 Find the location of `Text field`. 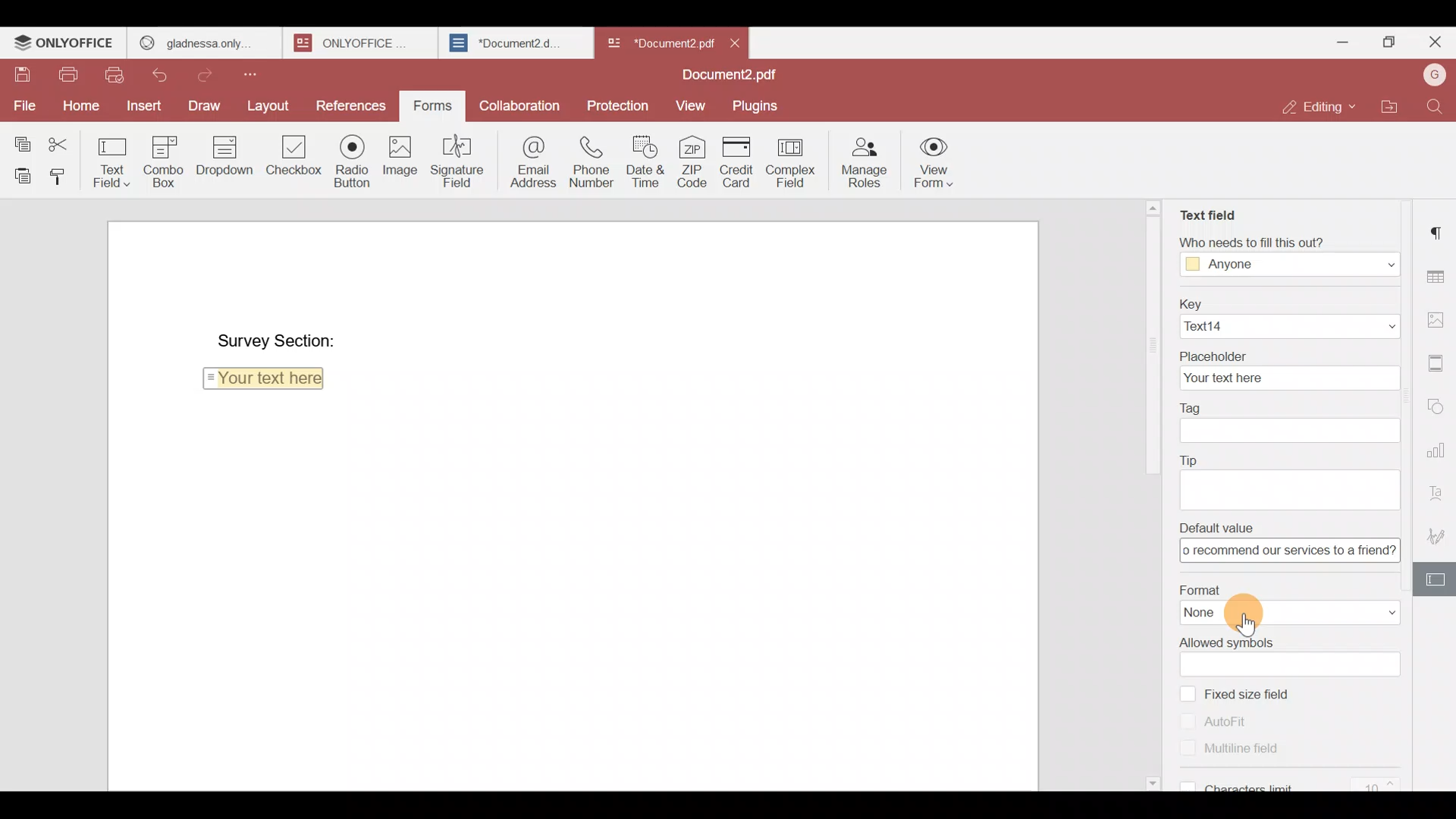

Text field is located at coordinates (1207, 212).